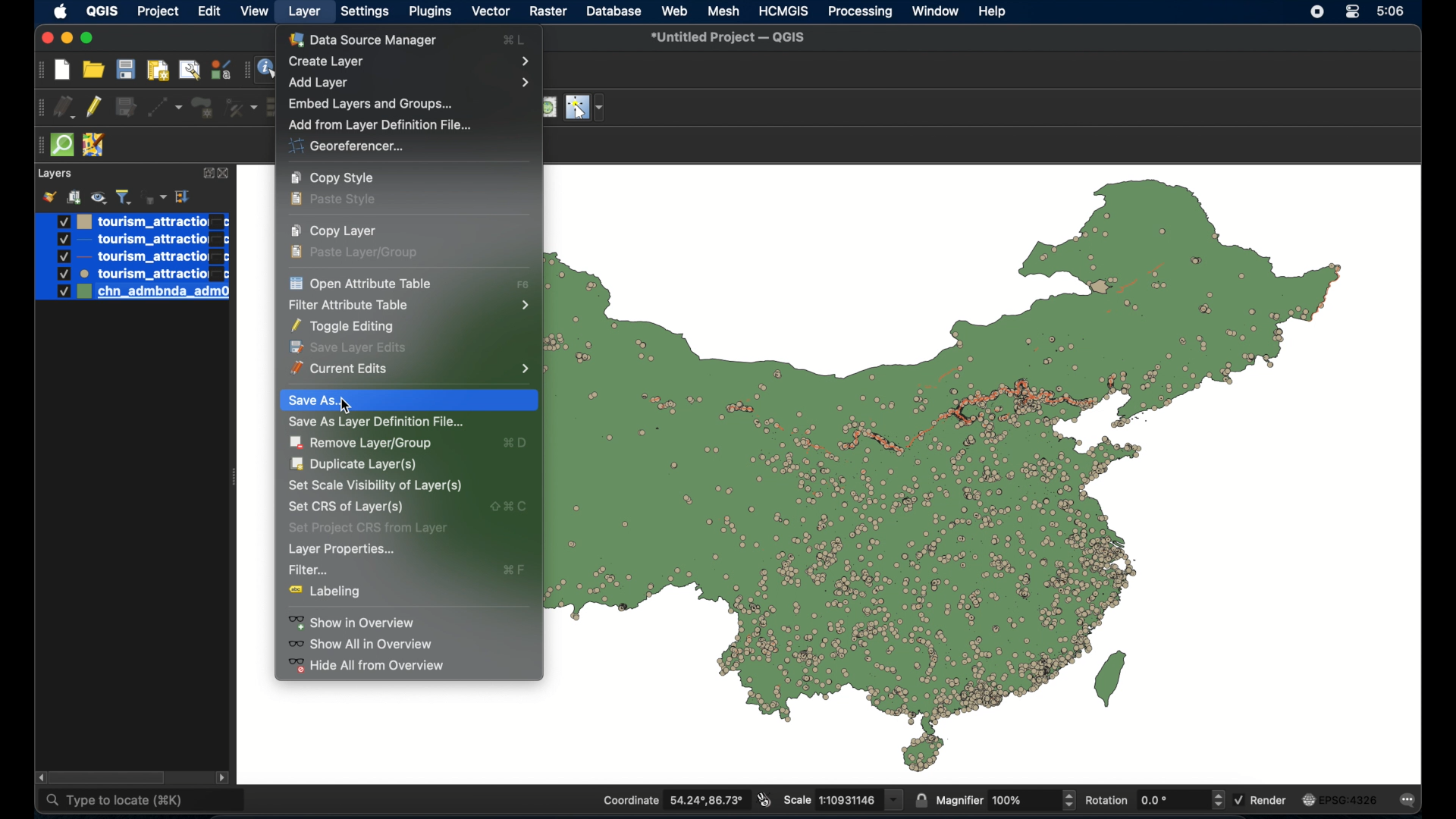  Describe the element at coordinates (1005, 799) in the screenshot. I see `magnifier` at that location.